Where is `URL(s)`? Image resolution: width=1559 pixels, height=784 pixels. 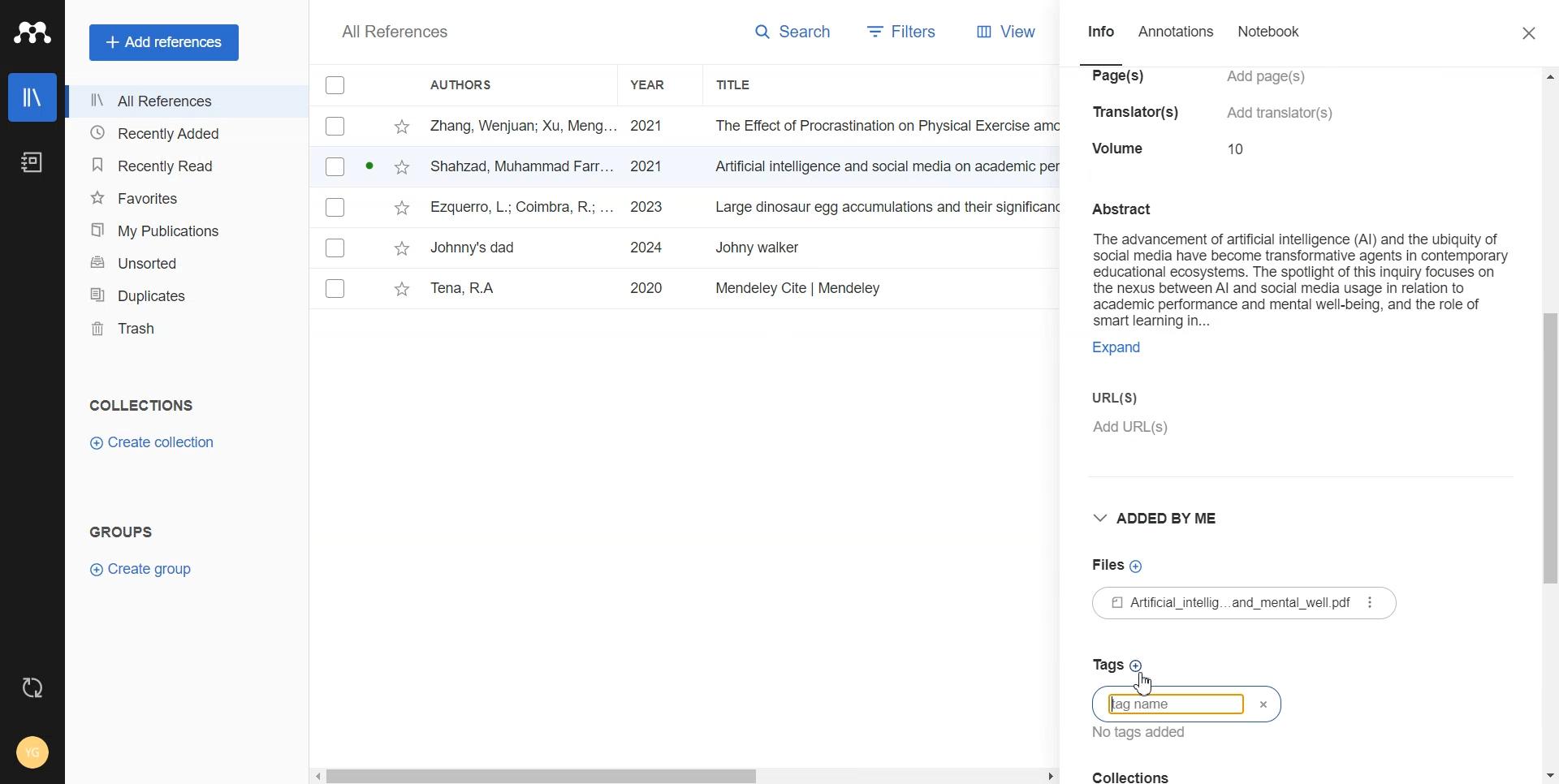 URL(s) is located at coordinates (1301, 414).